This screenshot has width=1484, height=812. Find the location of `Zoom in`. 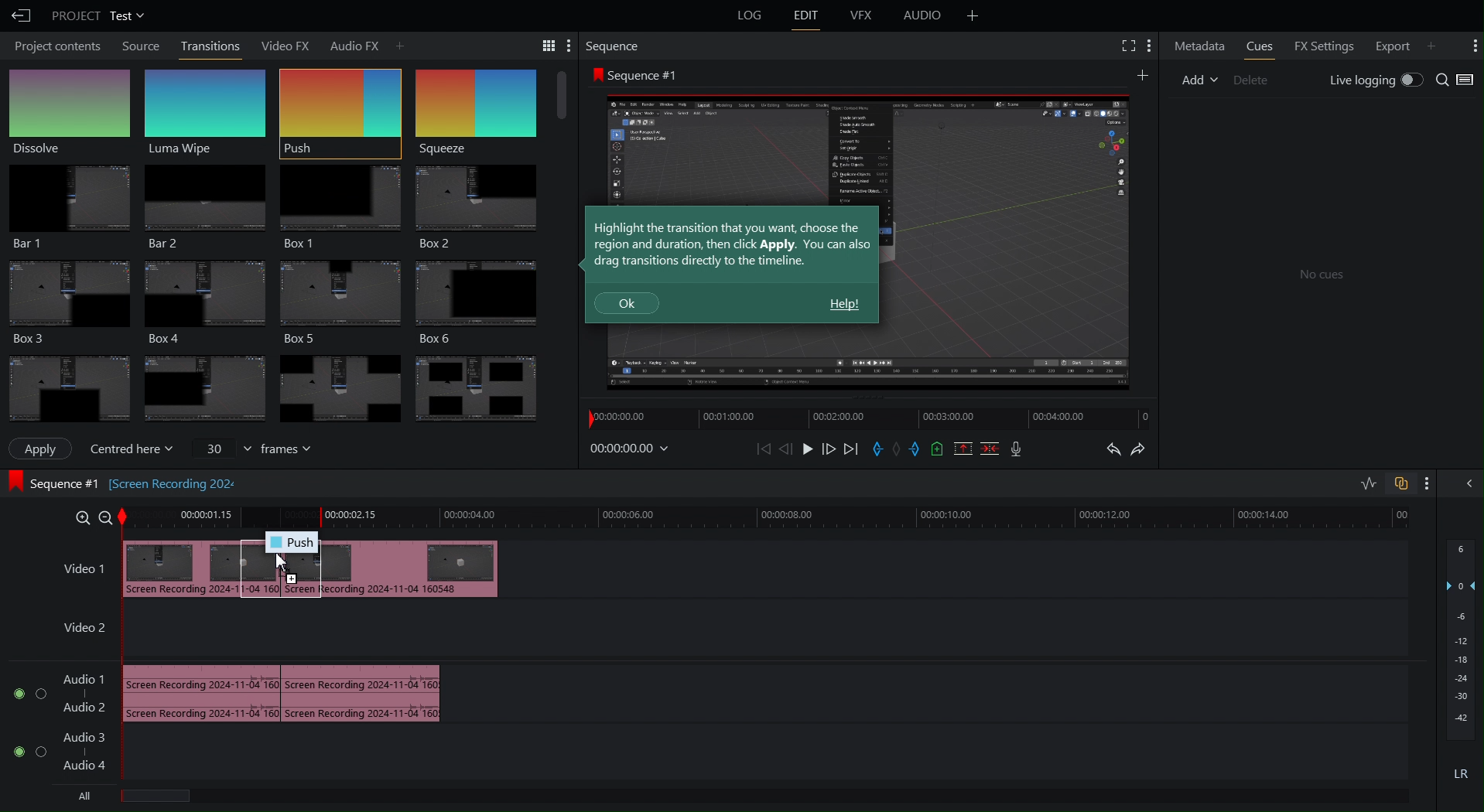

Zoom in is located at coordinates (80, 516).